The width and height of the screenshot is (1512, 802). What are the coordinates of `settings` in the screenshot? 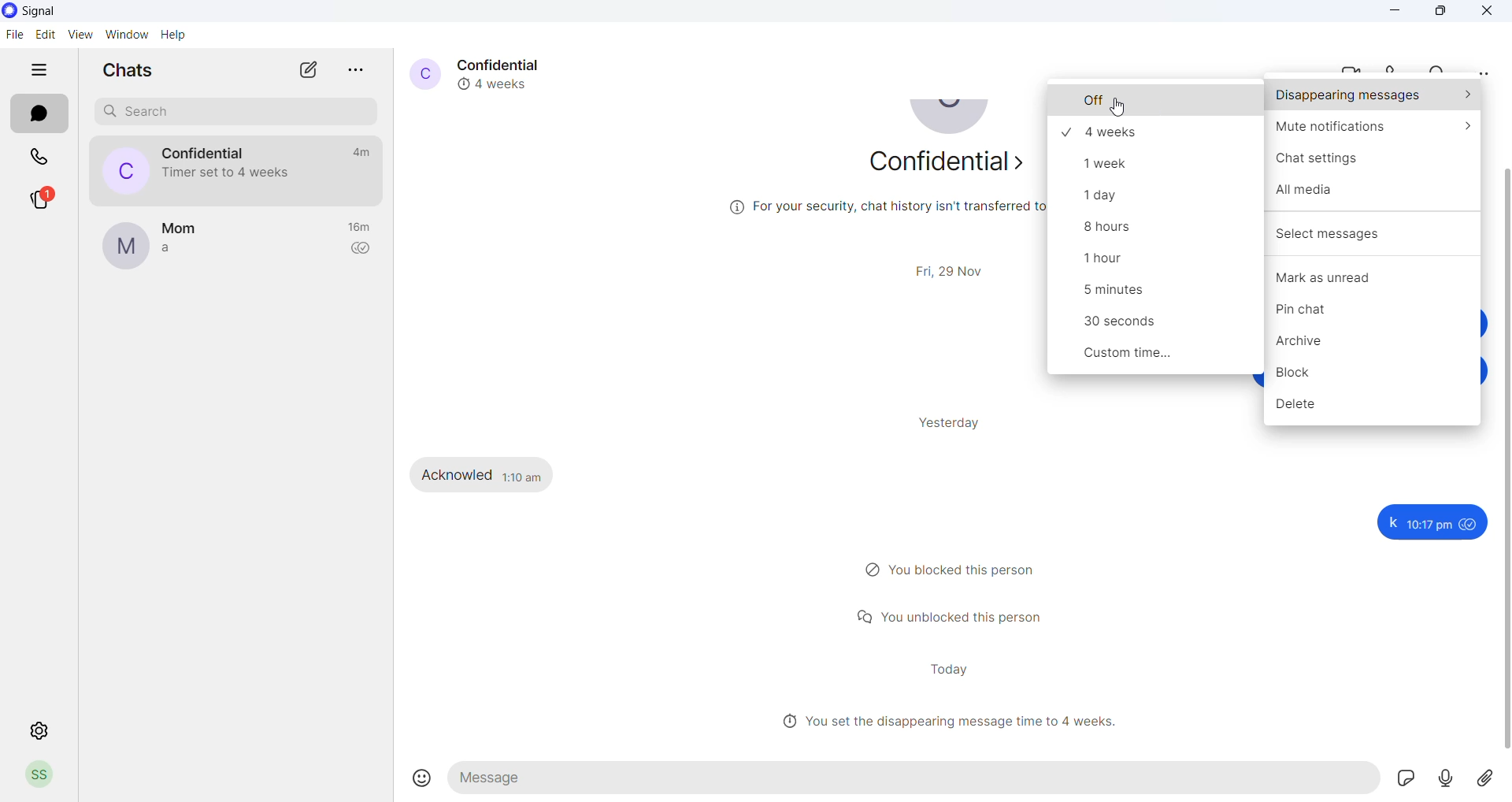 It's located at (41, 732).